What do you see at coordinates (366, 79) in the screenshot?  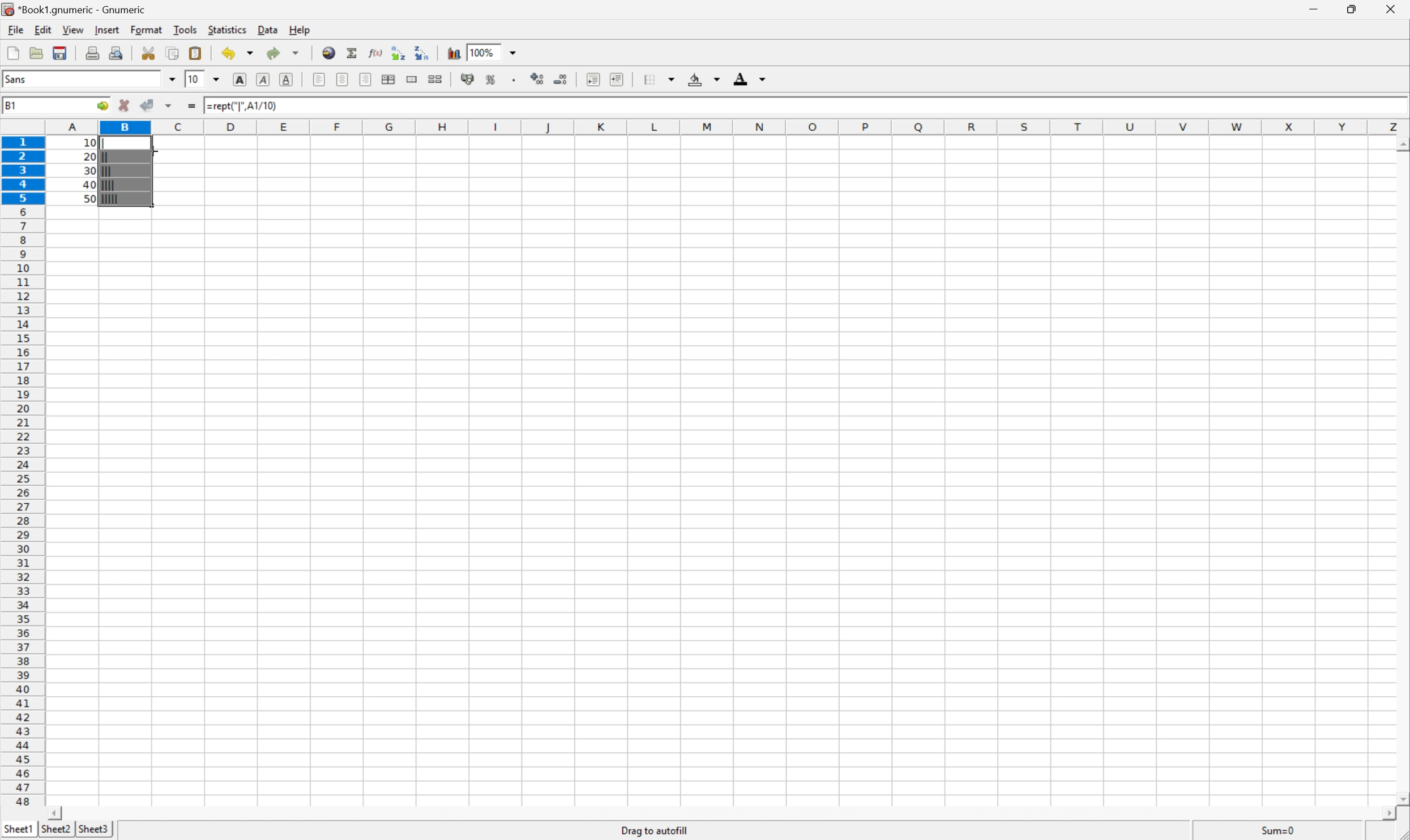 I see `Align Right` at bounding box center [366, 79].